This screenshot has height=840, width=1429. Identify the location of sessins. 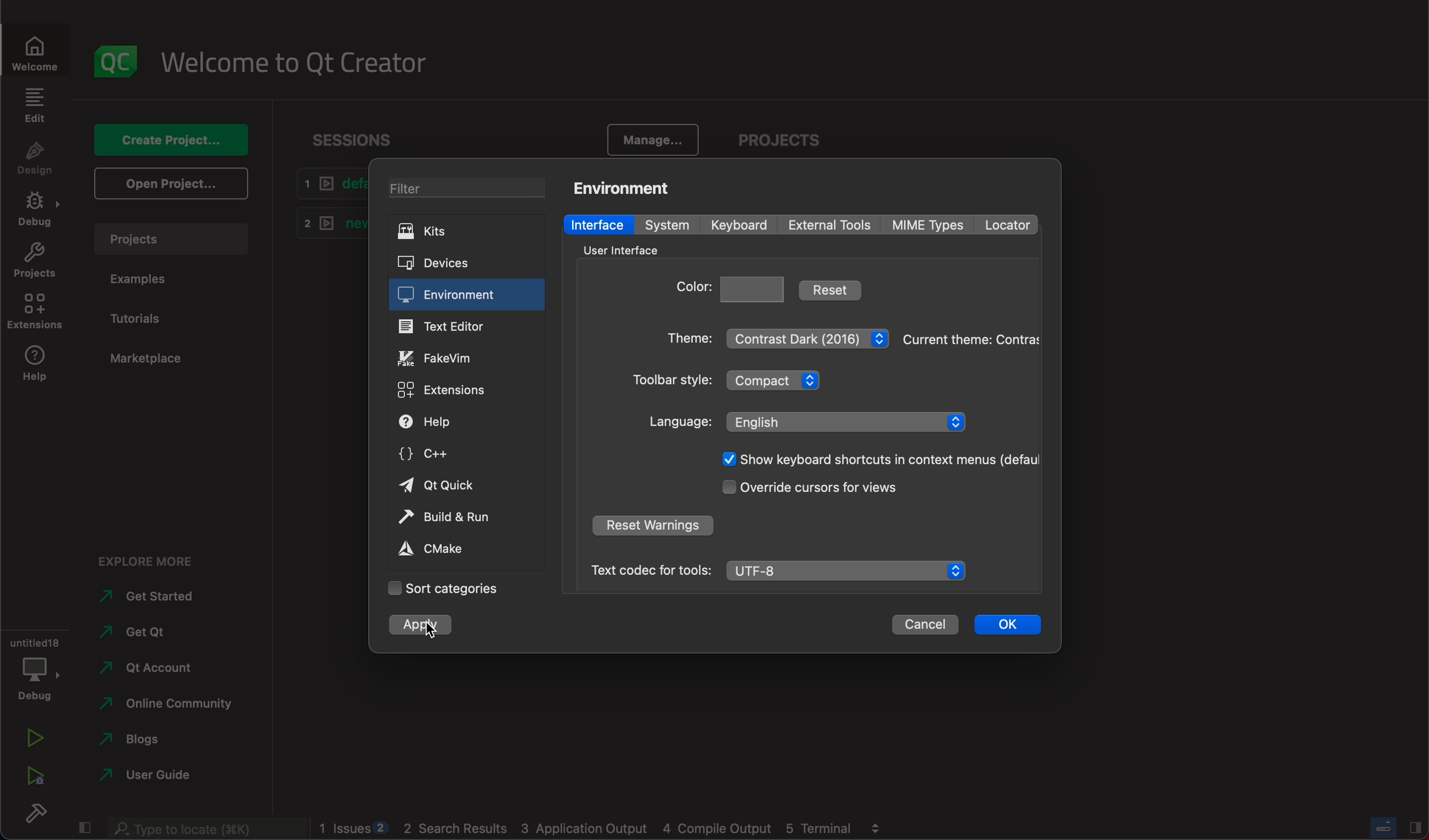
(358, 140).